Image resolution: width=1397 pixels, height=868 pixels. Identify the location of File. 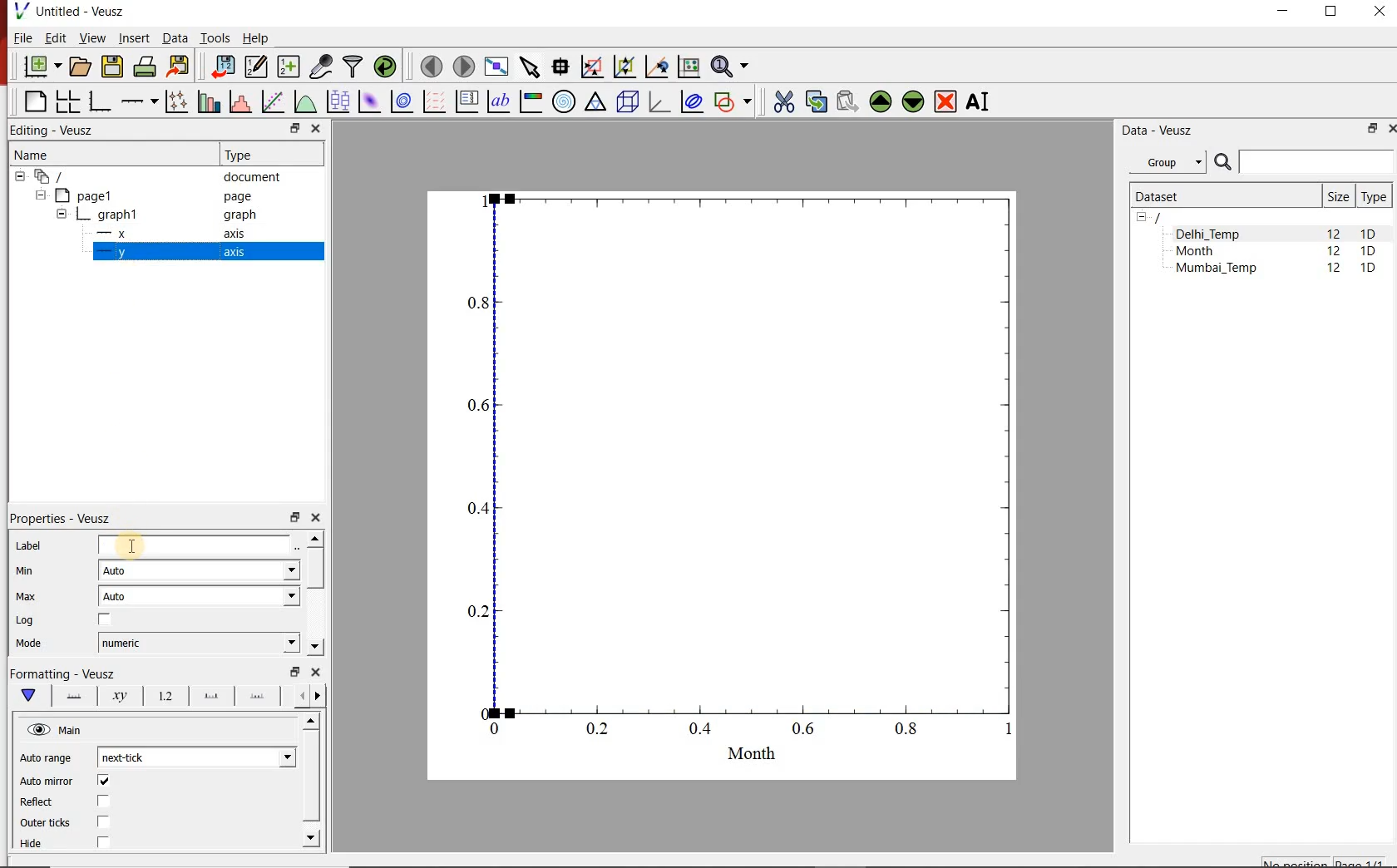
(22, 37).